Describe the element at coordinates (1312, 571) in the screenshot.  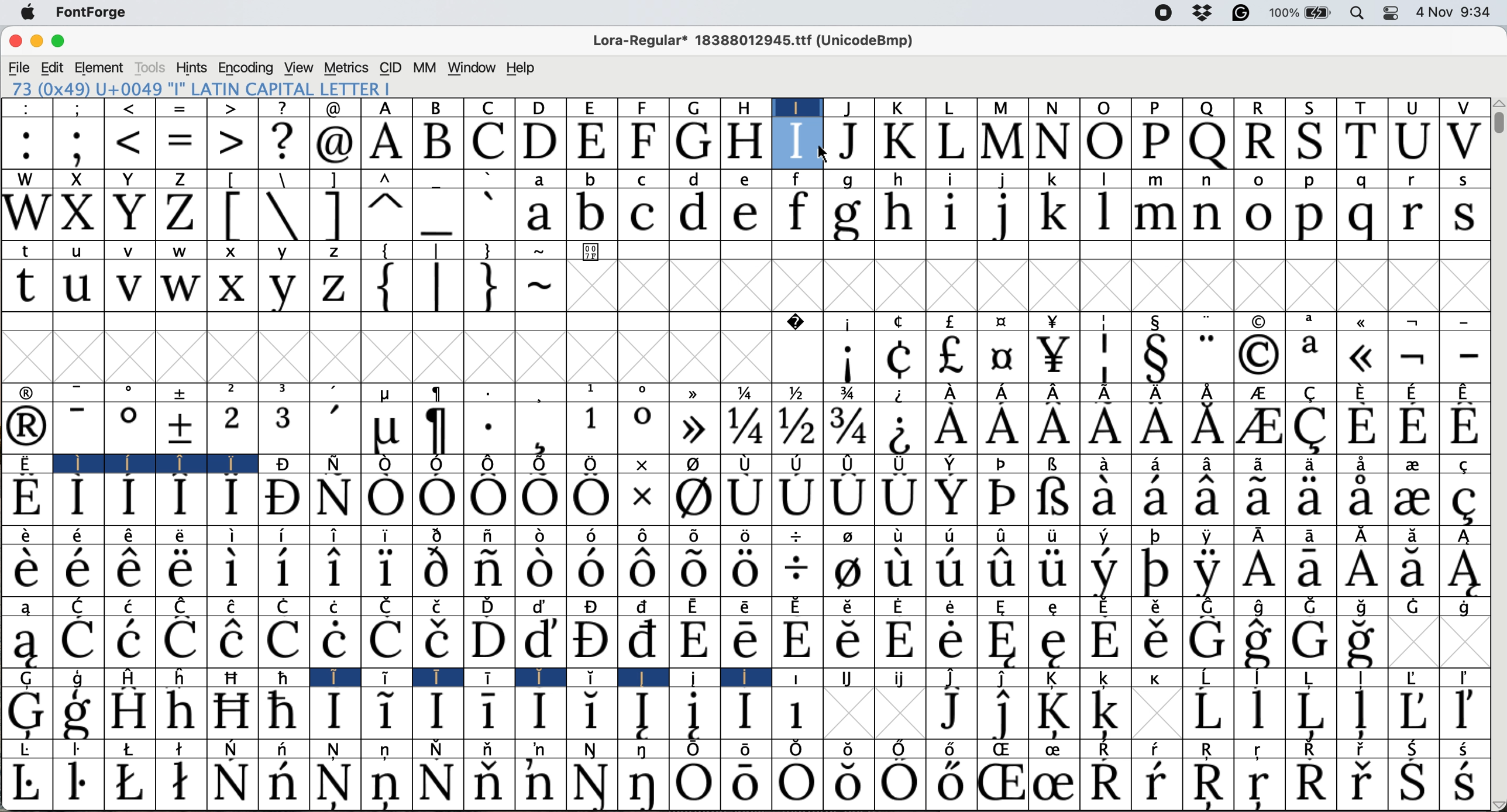
I see `Symbol` at that location.